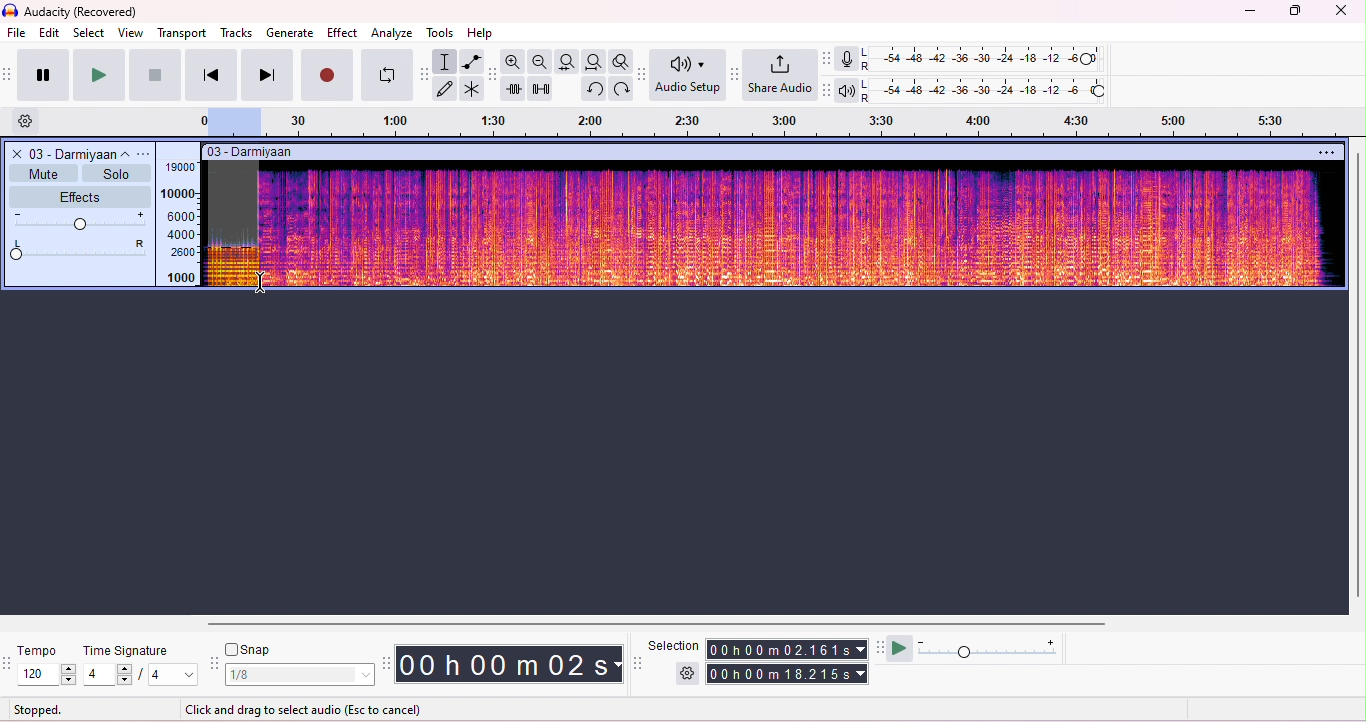 The image size is (1366, 722). What do you see at coordinates (391, 33) in the screenshot?
I see `analyze` at bounding box center [391, 33].